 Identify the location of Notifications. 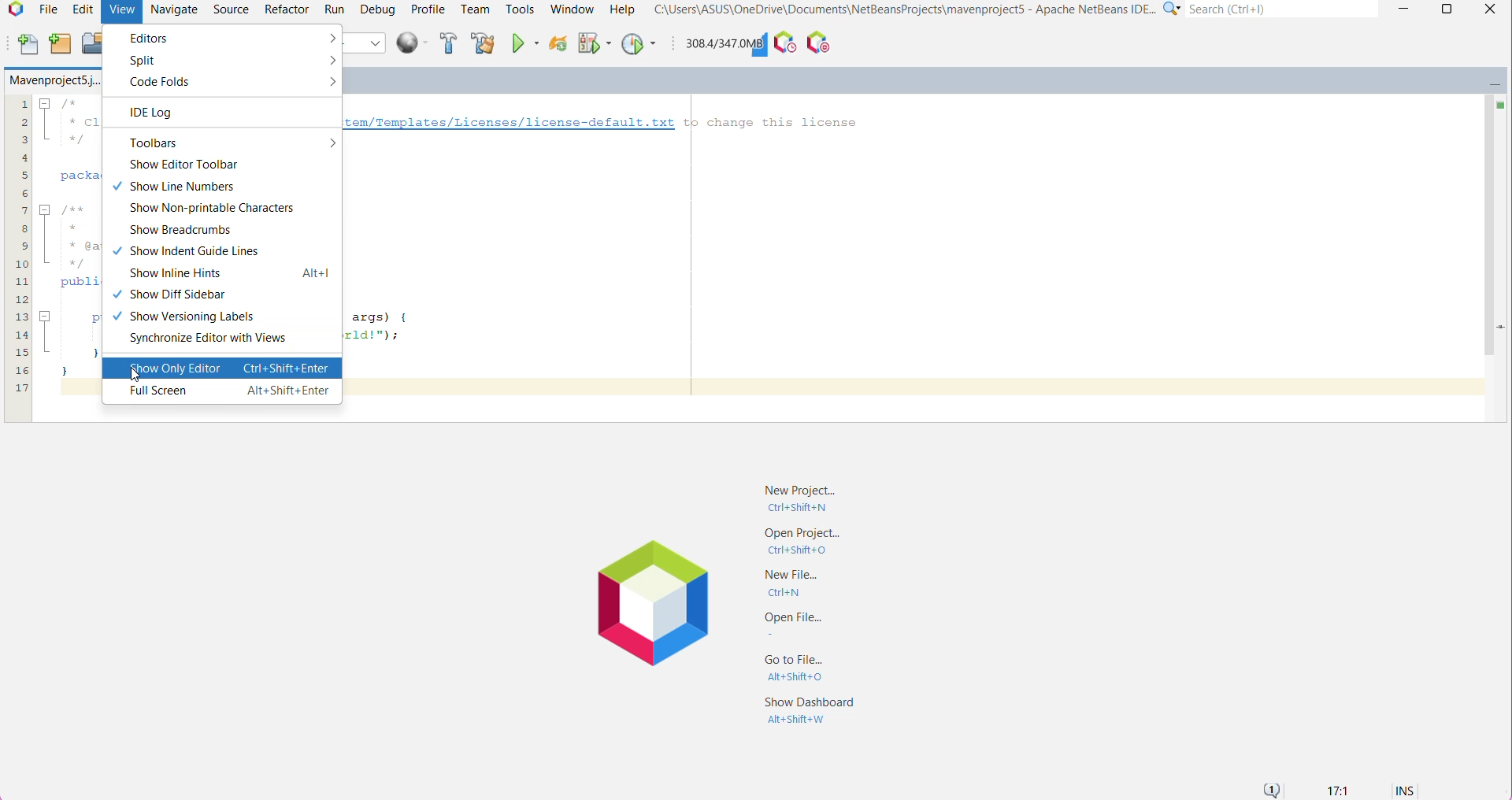
(1284, 789).